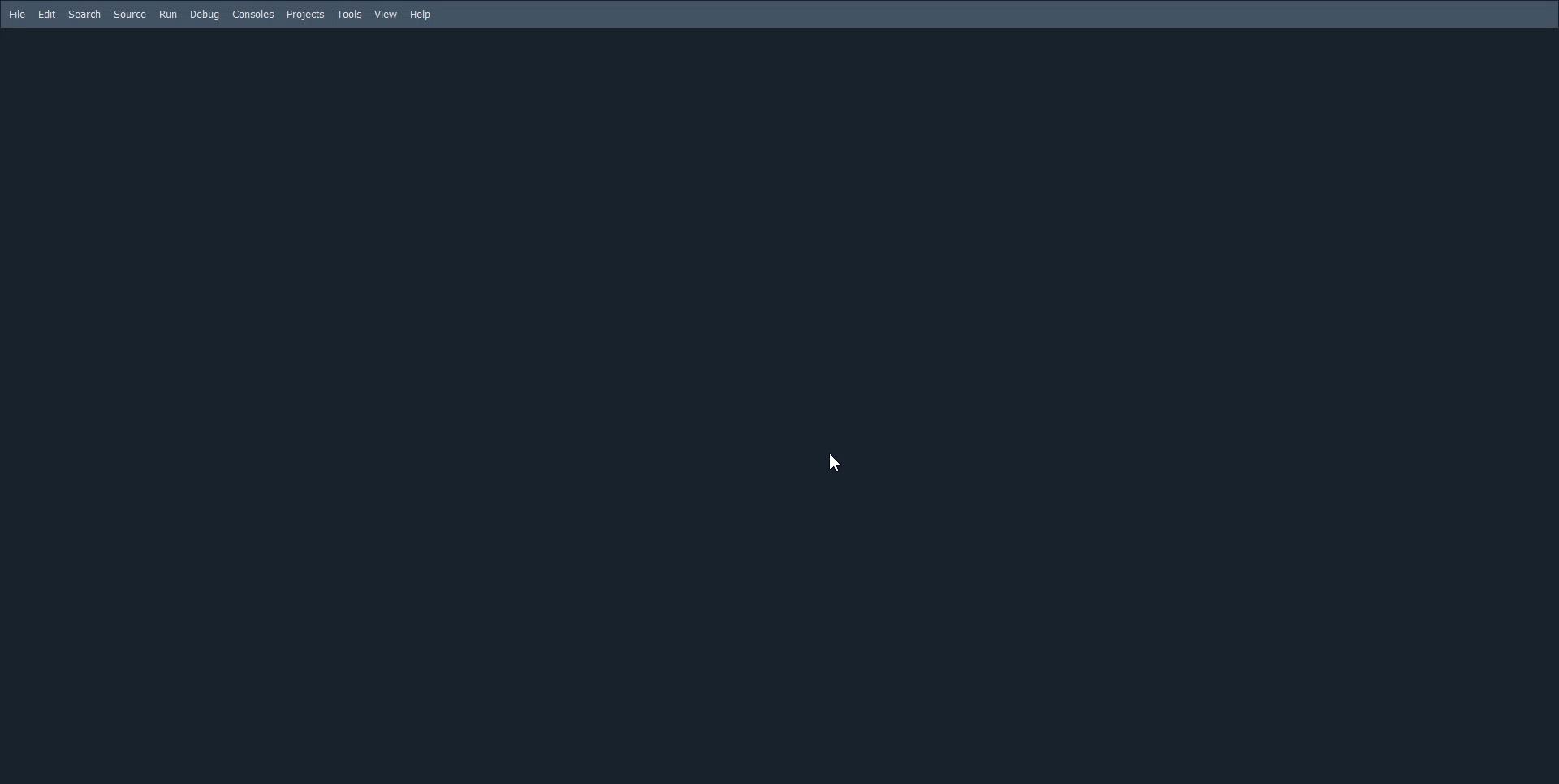 Image resolution: width=1559 pixels, height=784 pixels. Describe the element at coordinates (253, 14) in the screenshot. I see `Consoles` at that location.